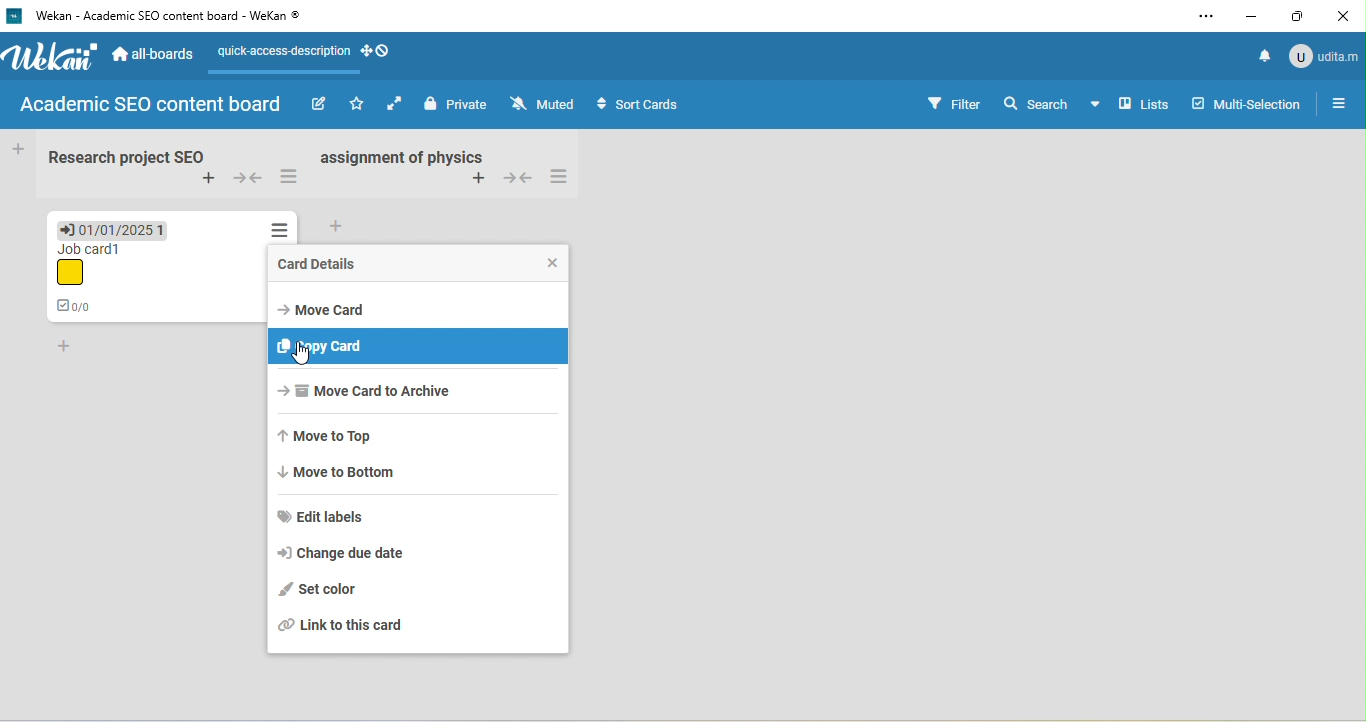 The width and height of the screenshot is (1366, 722). I want to click on private, so click(458, 105).